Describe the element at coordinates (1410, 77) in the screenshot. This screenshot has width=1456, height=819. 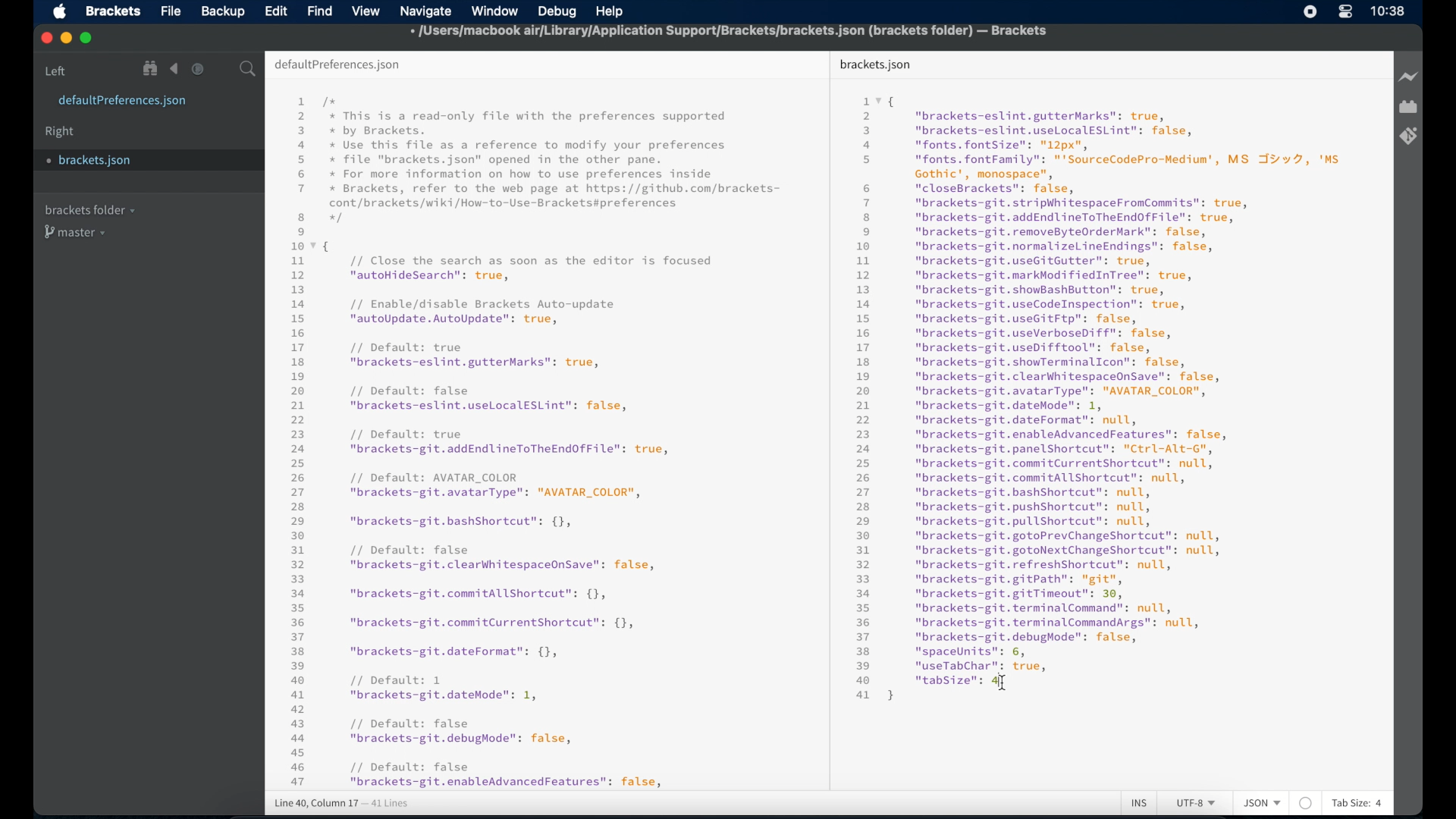
I see `live preview` at that location.